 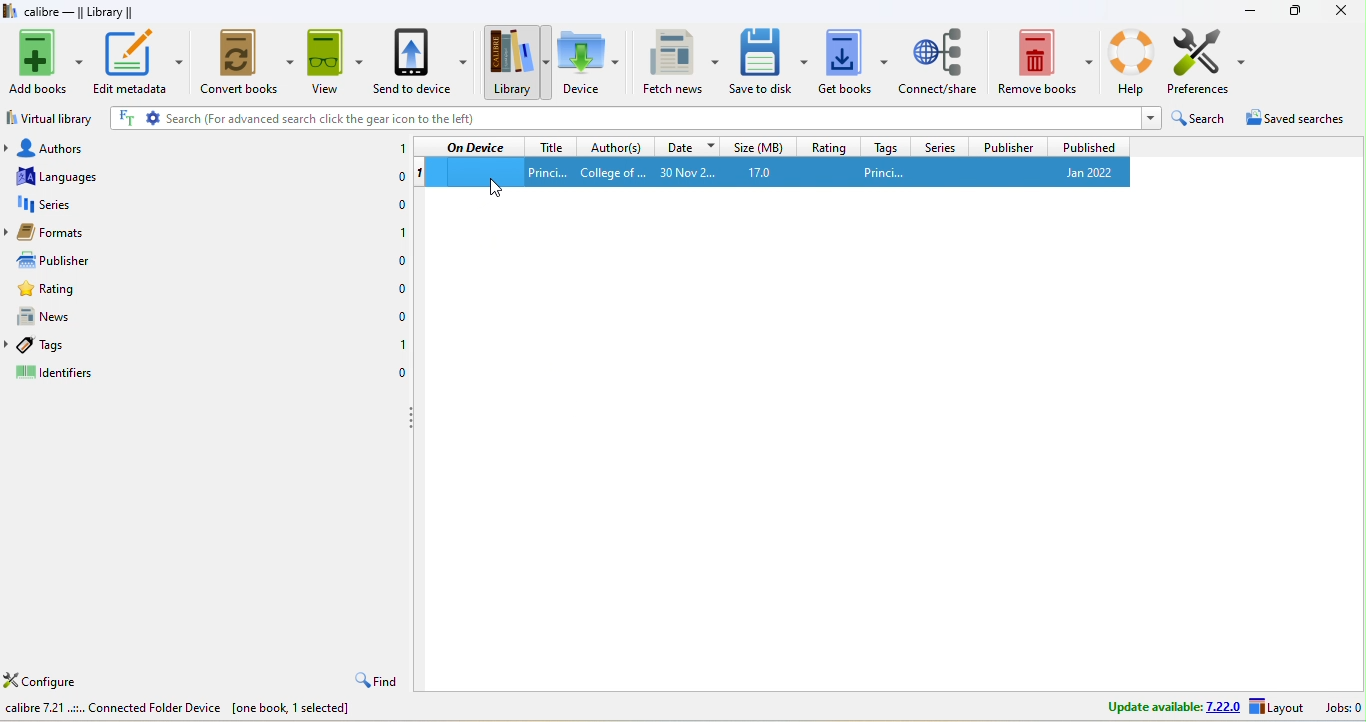 What do you see at coordinates (394, 179) in the screenshot?
I see `0` at bounding box center [394, 179].